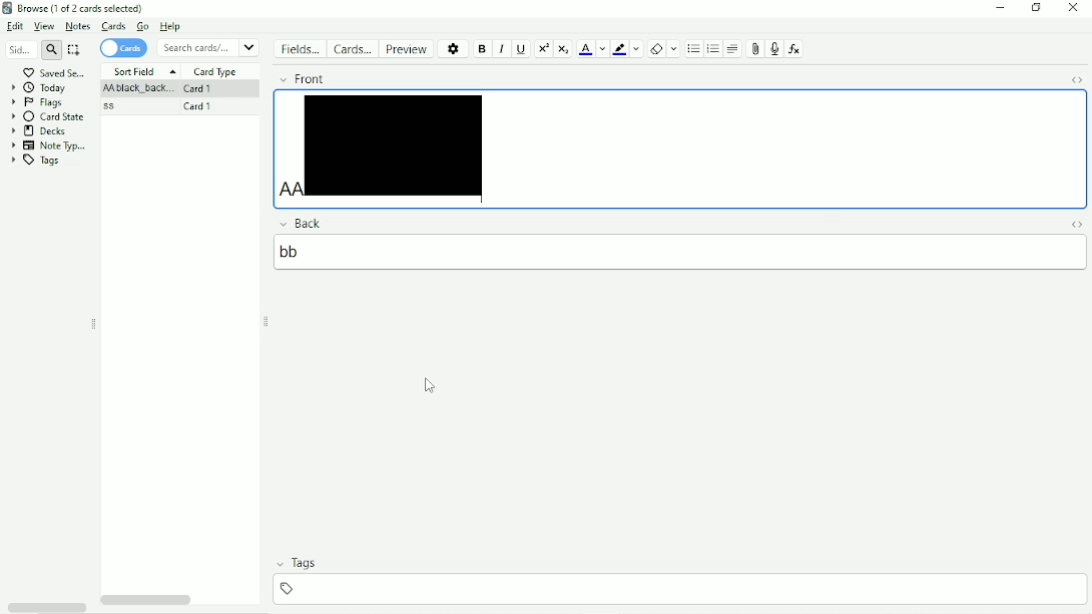 Image resolution: width=1092 pixels, height=614 pixels. Describe the element at coordinates (302, 563) in the screenshot. I see `Tags` at that location.